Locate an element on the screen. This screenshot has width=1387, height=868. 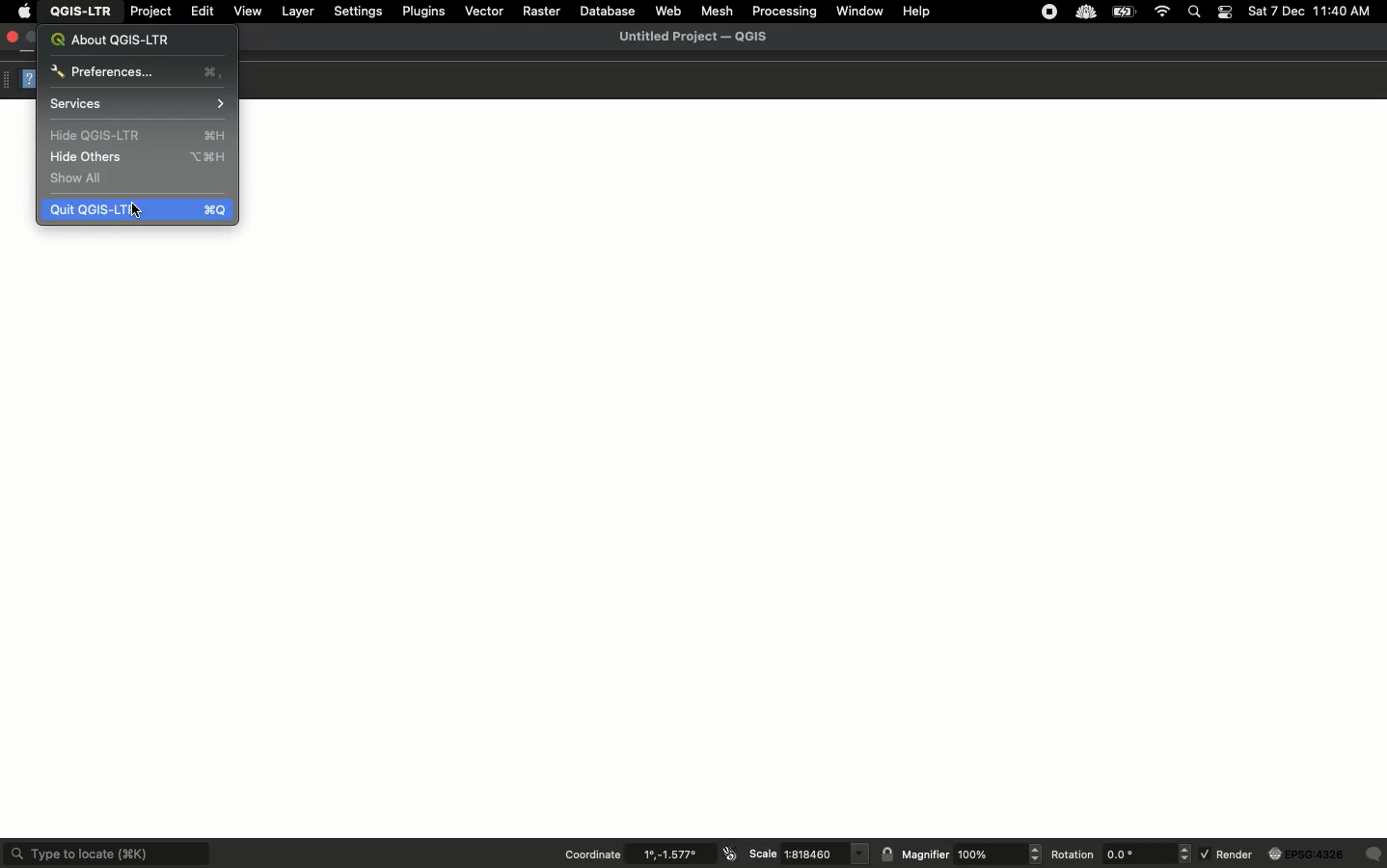
Plugins is located at coordinates (424, 12).